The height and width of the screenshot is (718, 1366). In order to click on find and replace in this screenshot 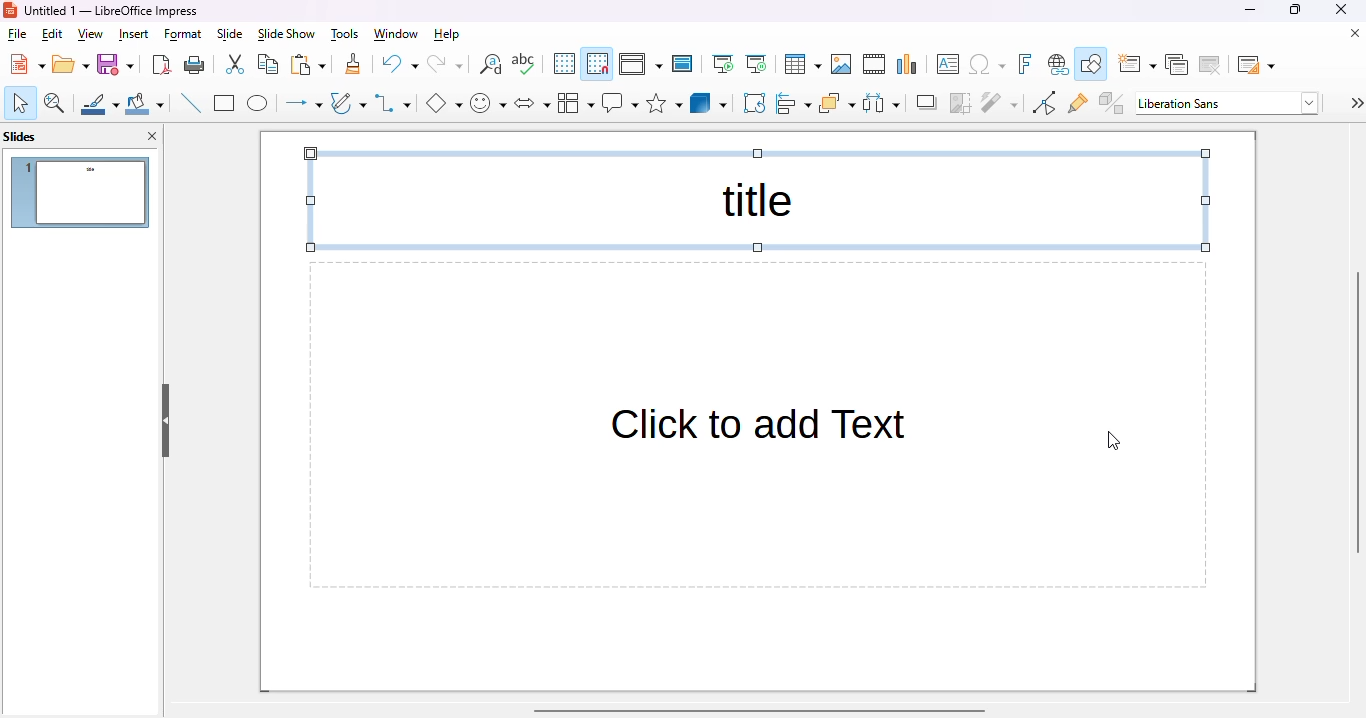, I will do `click(491, 64)`.